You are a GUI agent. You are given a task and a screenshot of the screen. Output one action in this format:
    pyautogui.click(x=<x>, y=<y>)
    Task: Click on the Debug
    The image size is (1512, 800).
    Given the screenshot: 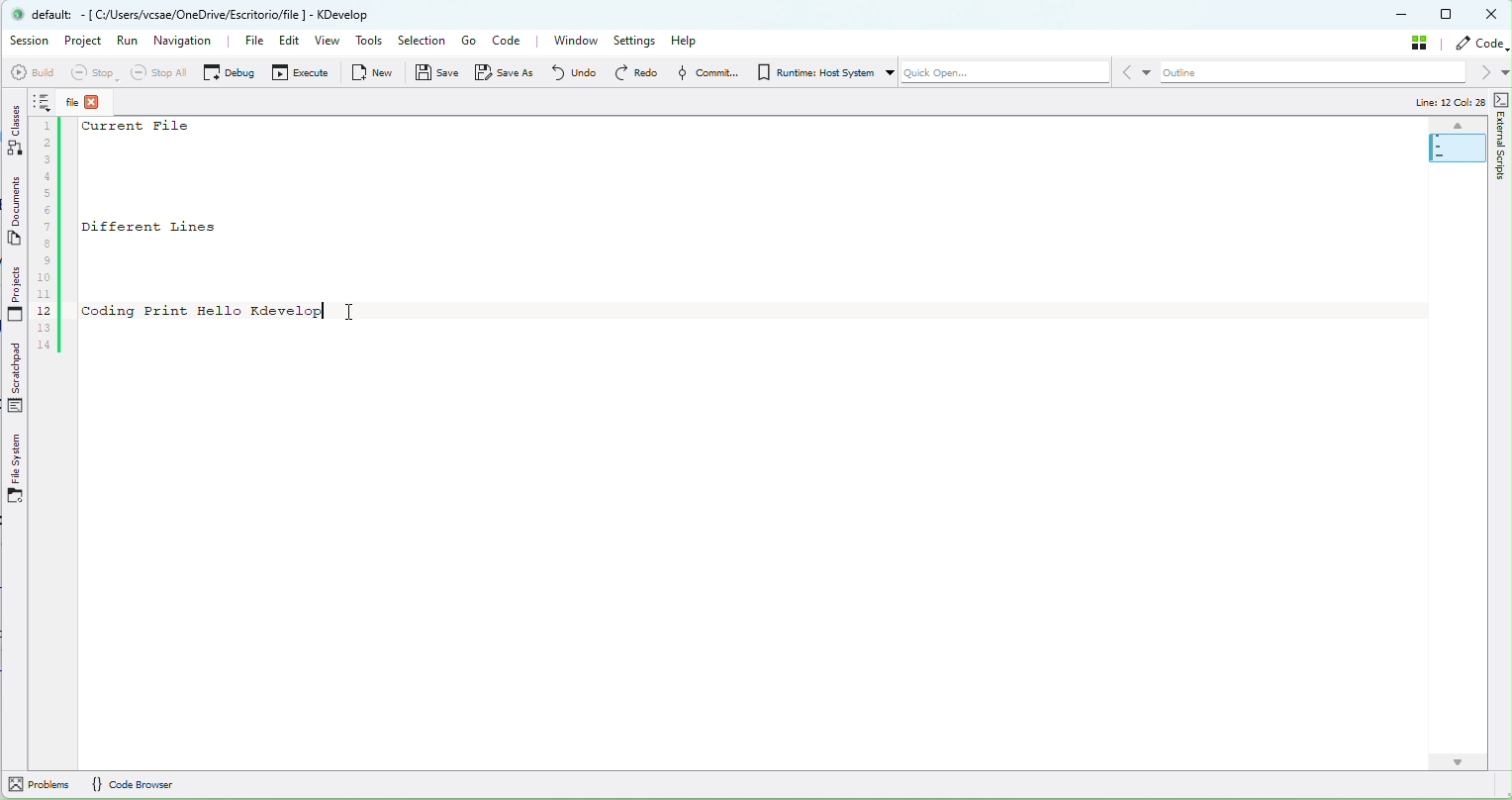 What is the action you would take?
    pyautogui.click(x=229, y=71)
    